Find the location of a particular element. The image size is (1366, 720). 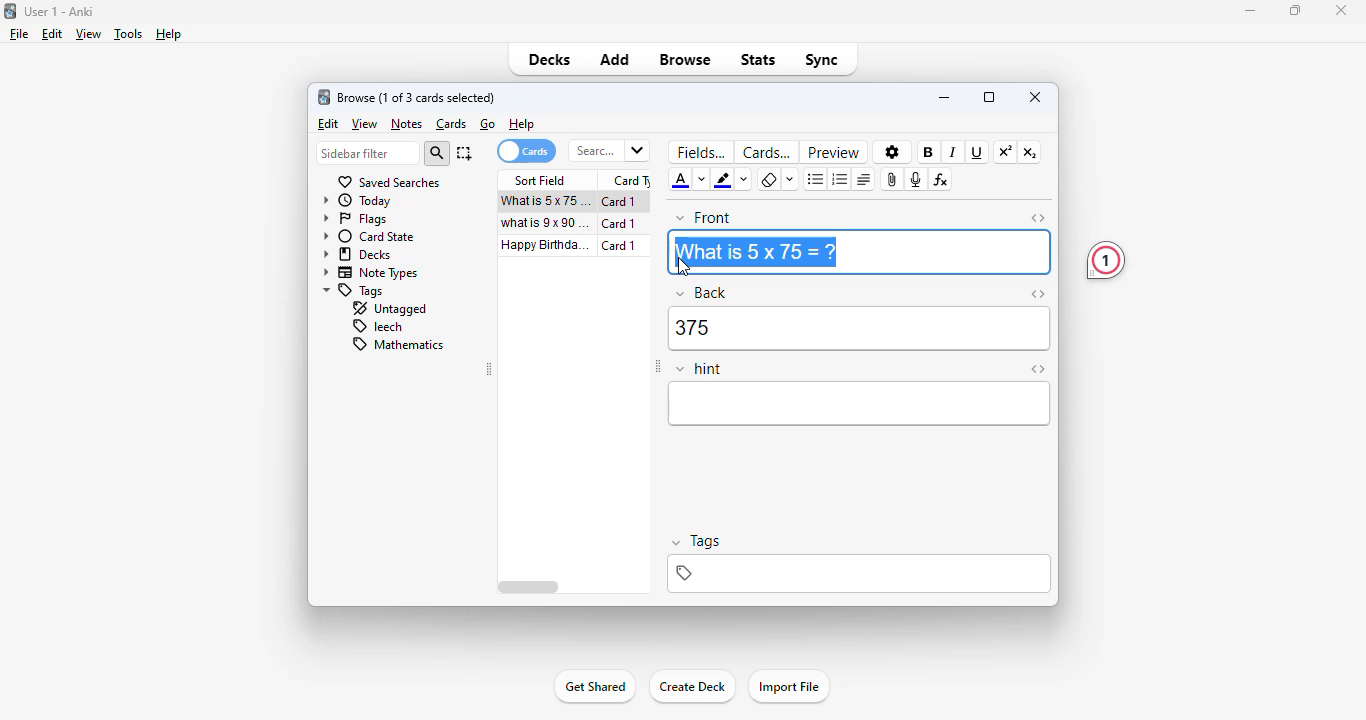

flags is located at coordinates (354, 219).